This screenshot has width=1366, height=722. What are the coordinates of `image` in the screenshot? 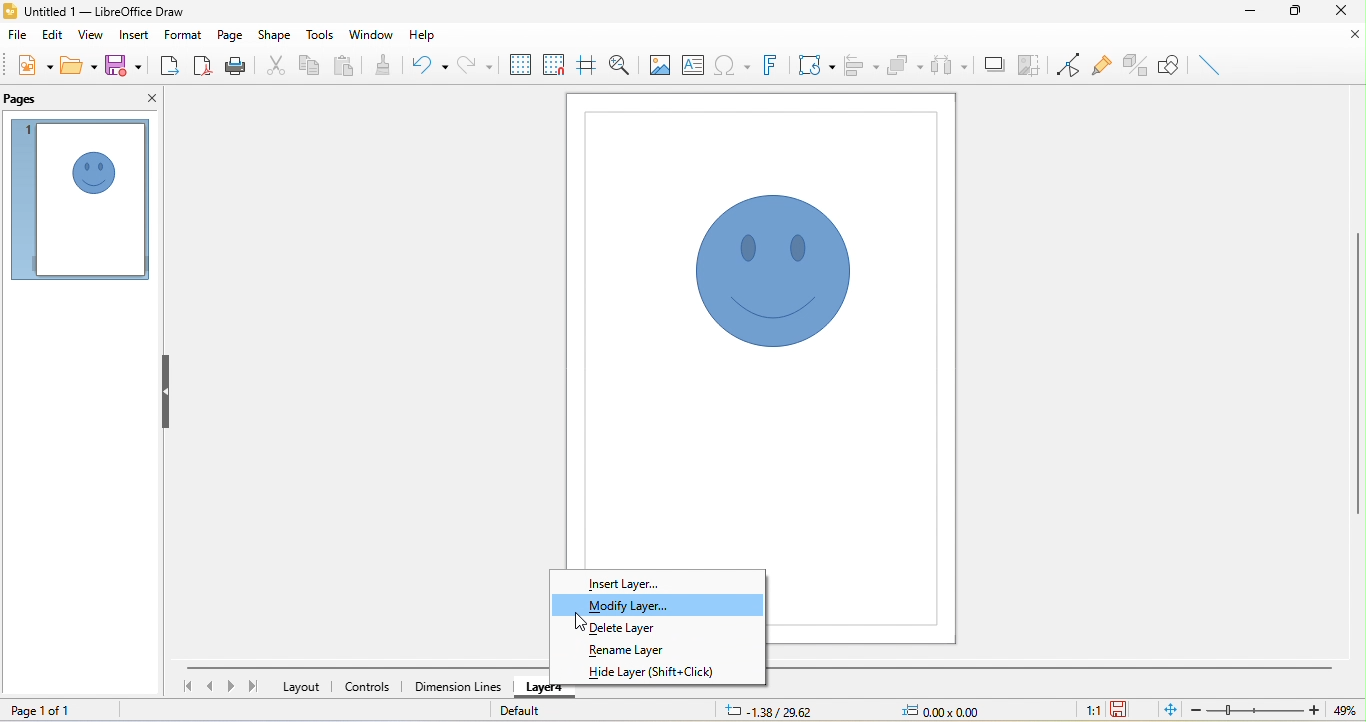 It's located at (659, 64).